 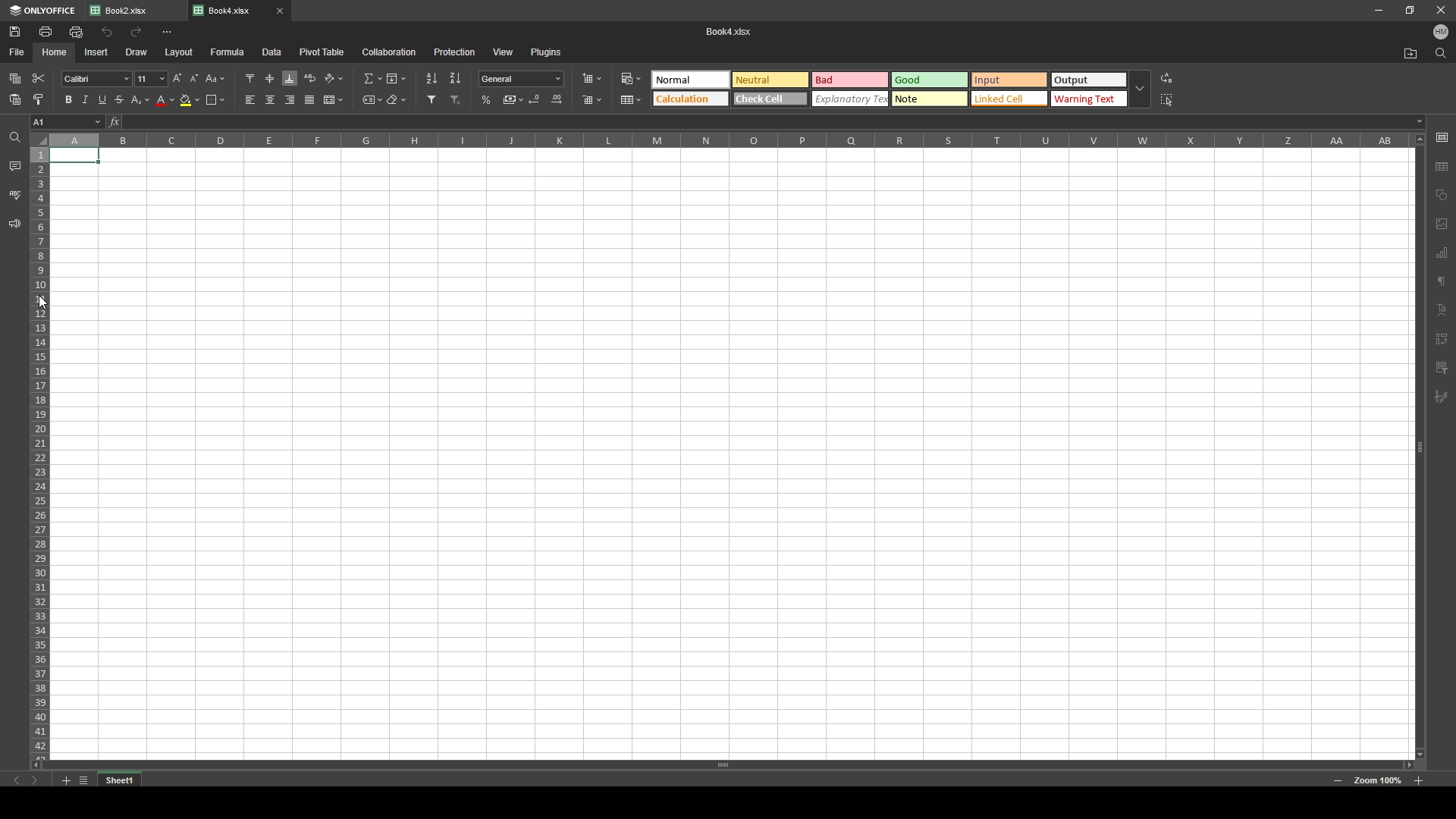 What do you see at coordinates (335, 78) in the screenshot?
I see `orientation` at bounding box center [335, 78].